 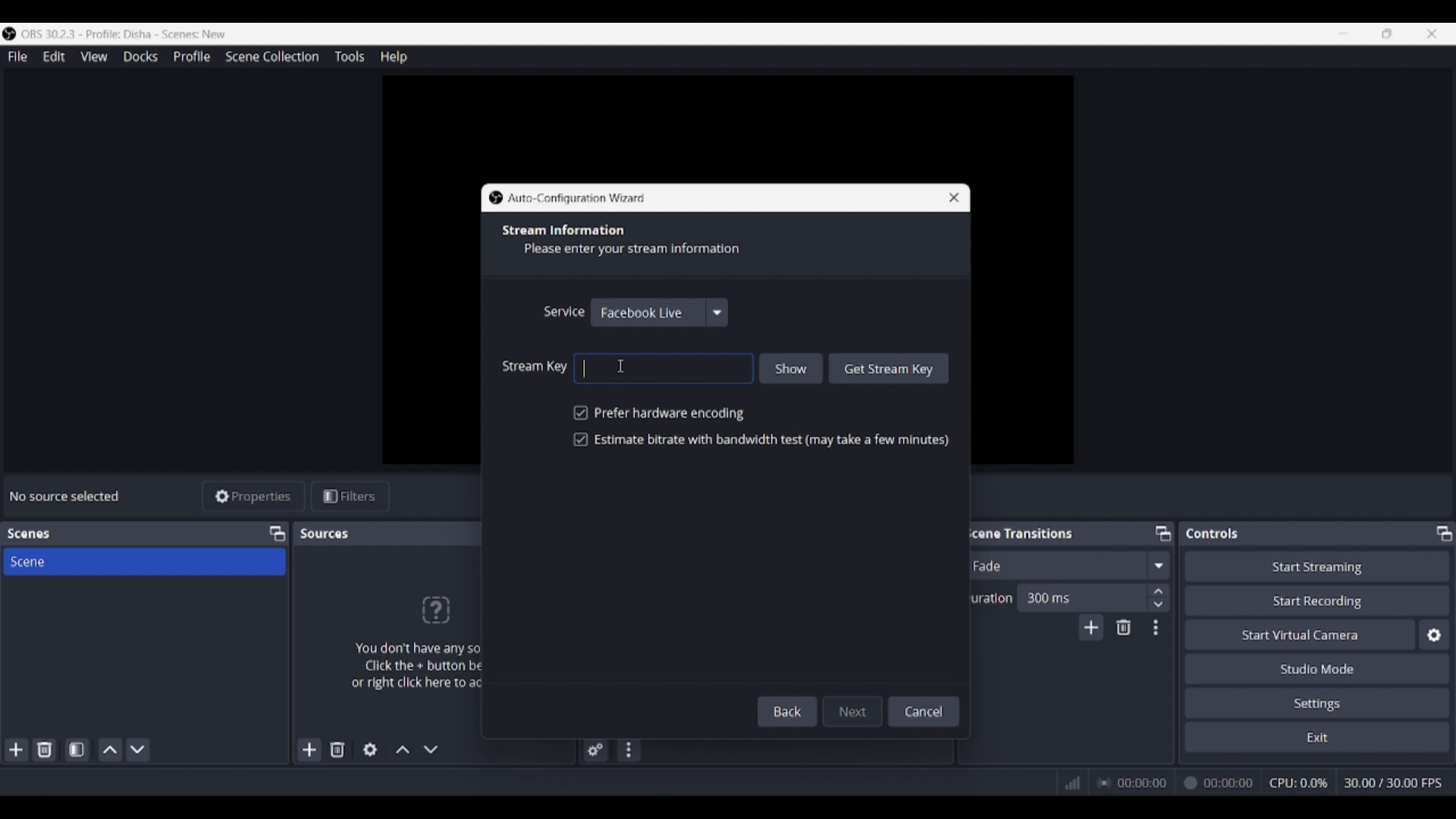 What do you see at coordinates (1178, 783) in the screenshot?
I see `00:00:00` at bounding box center [1178, 783].